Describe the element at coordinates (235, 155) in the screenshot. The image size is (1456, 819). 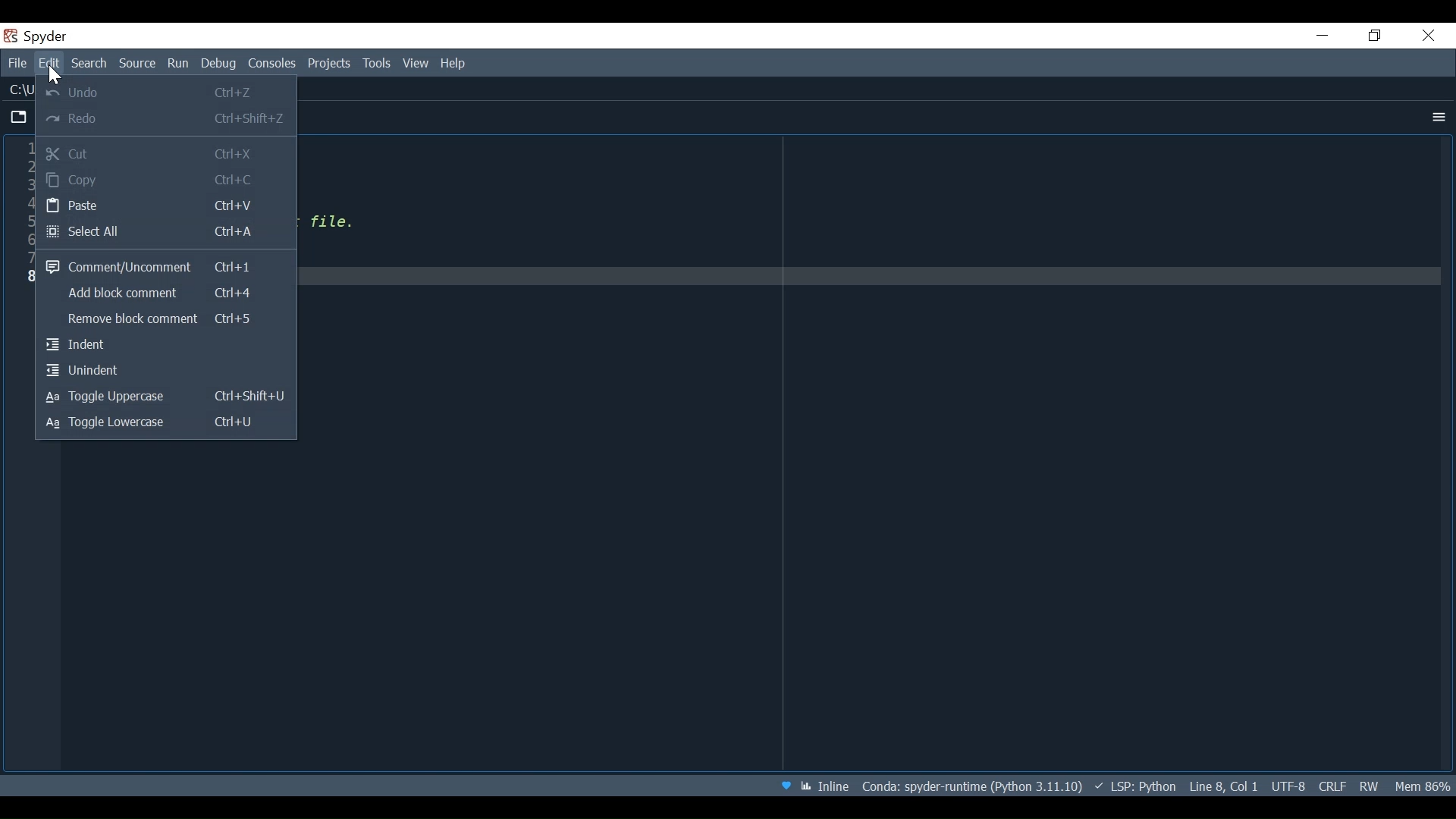
I see `Ctri+X` at that location.